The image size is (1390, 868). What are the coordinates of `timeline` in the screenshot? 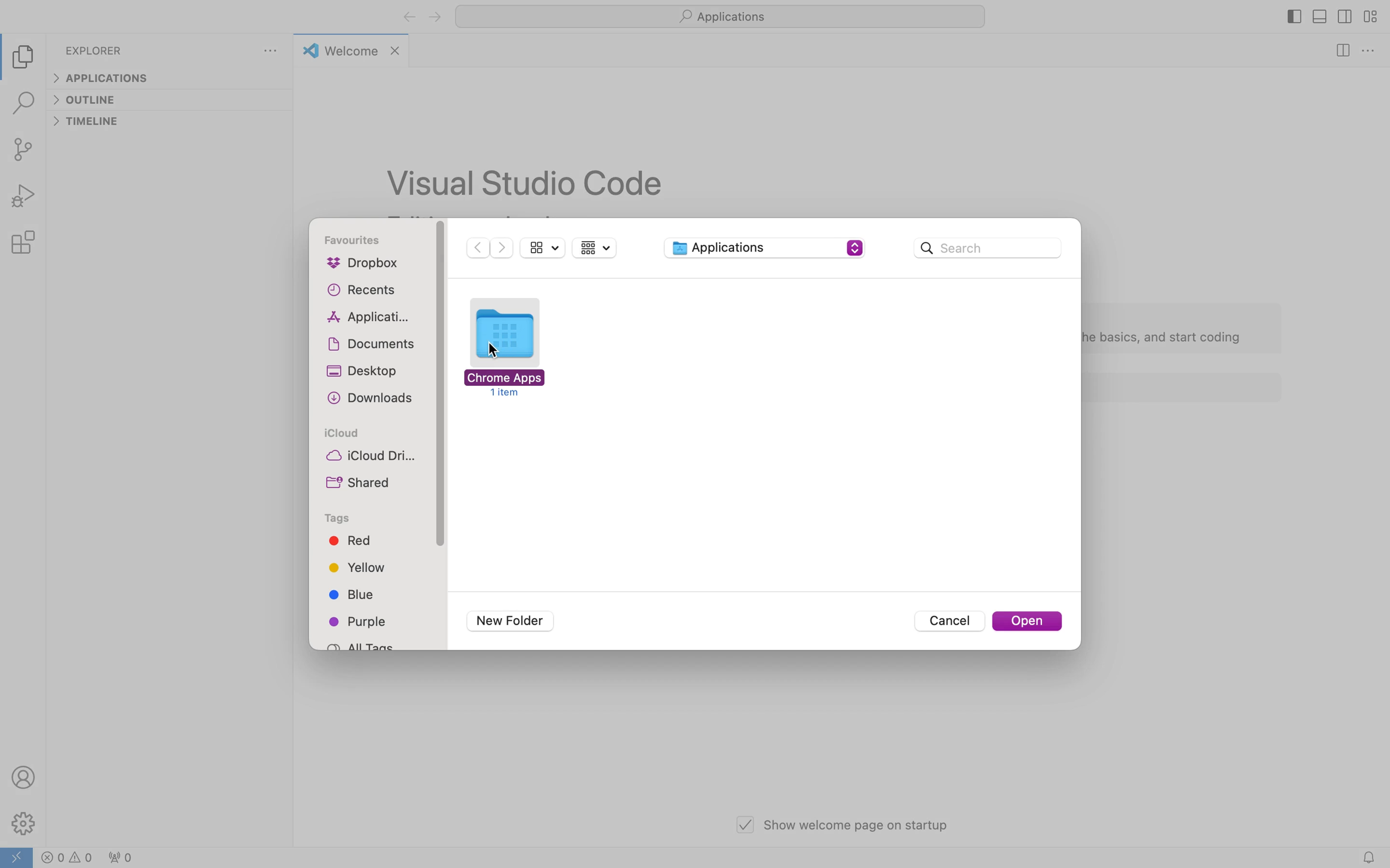 It's located at (90, 124).